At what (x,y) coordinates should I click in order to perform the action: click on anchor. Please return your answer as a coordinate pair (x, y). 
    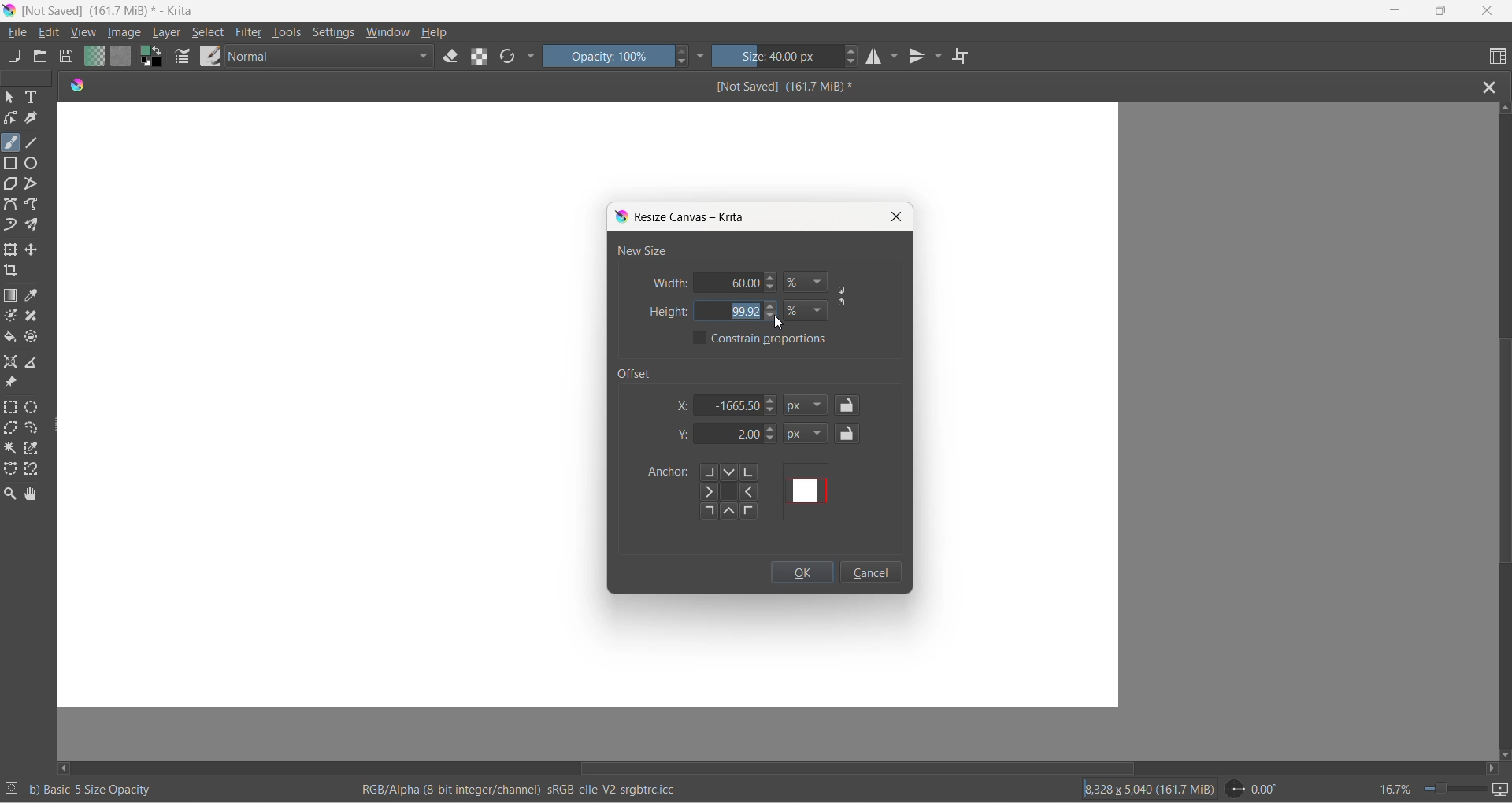
    Looking at the image, I should click on (665, 473).